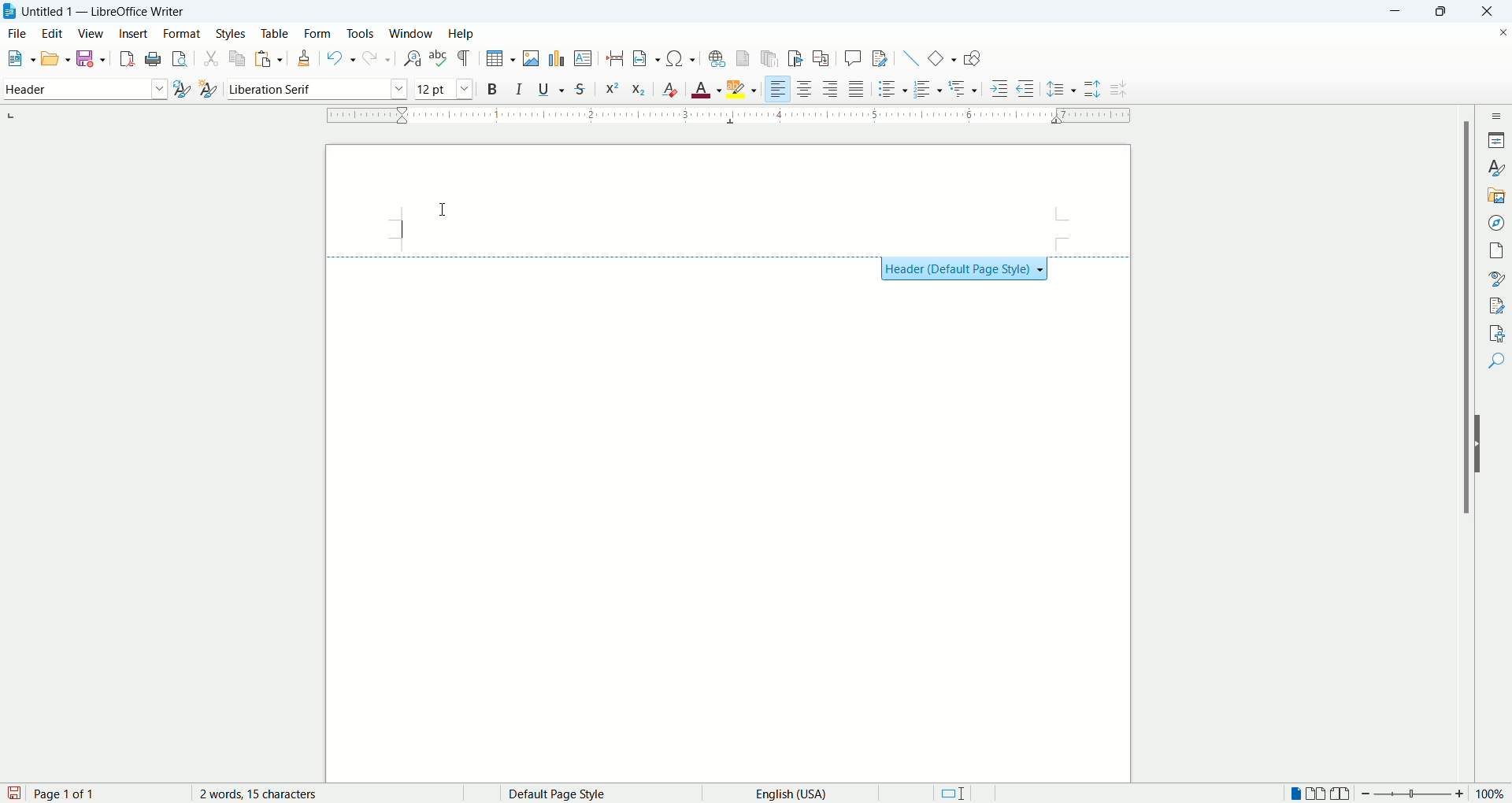 This screenshot has height=803, width=1512. I want to click on navigator, so click(1499, 223).